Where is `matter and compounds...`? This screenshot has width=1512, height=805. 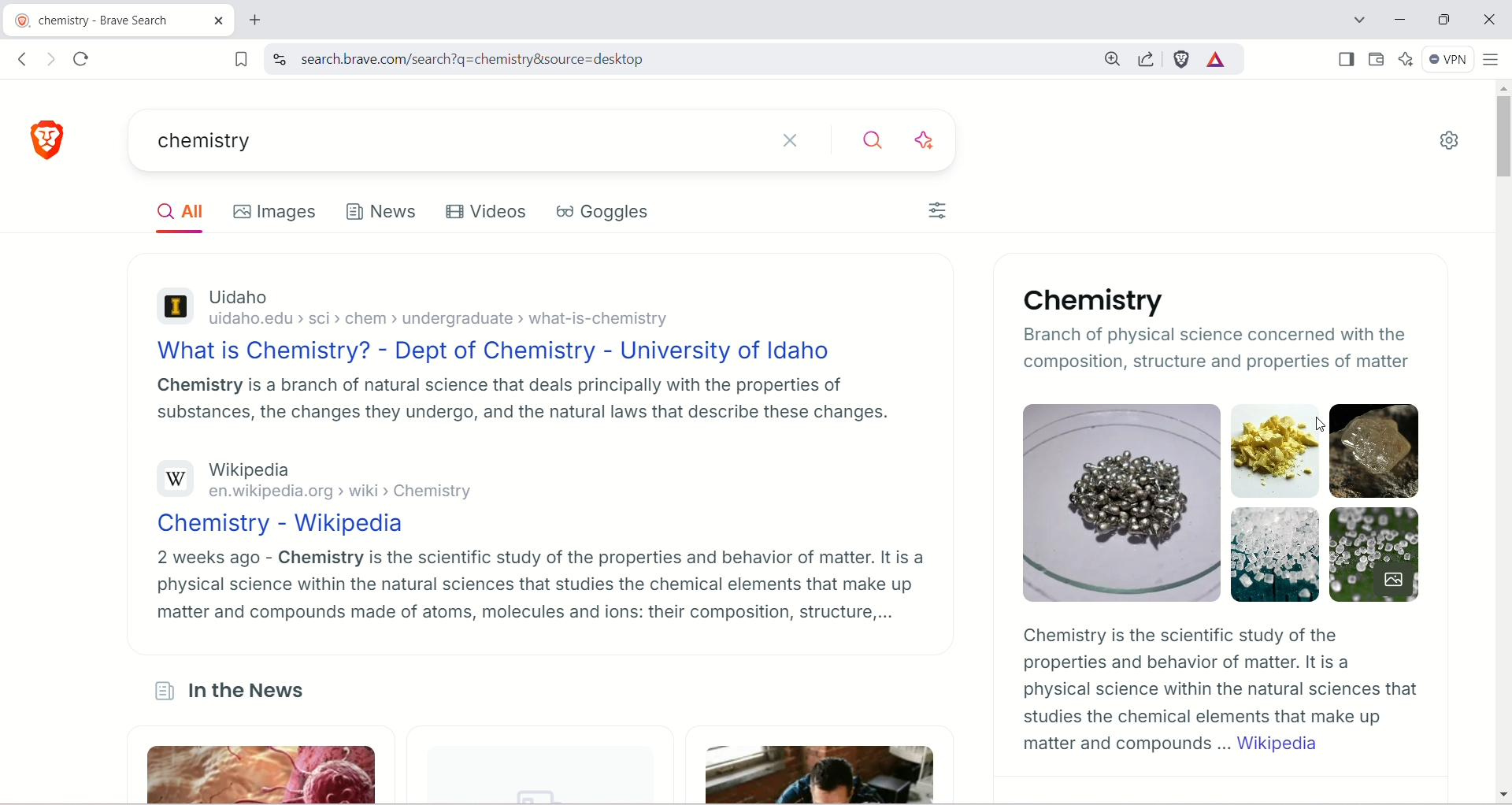
matter and compounds... is located at coordinates (1119, 744).